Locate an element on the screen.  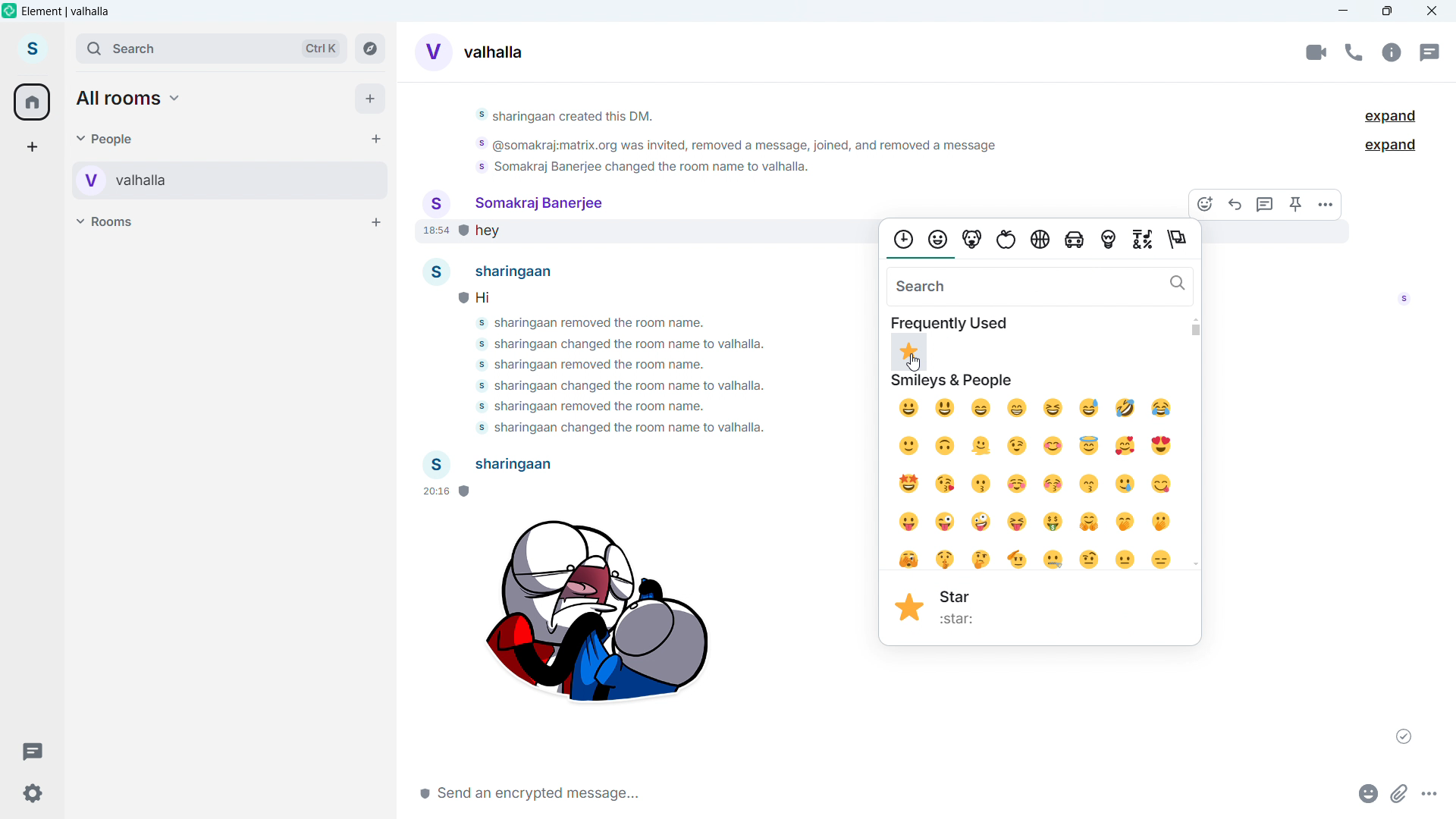
Write message is located at coordinates (636, 792).